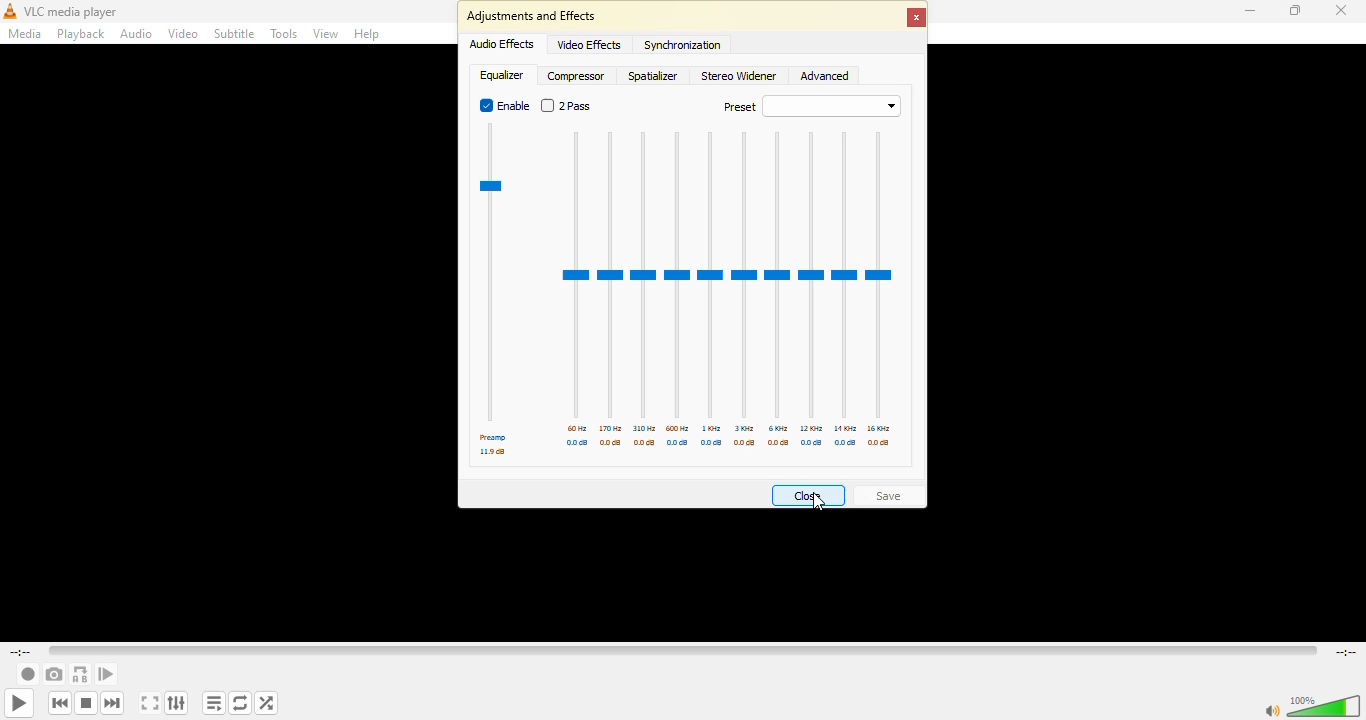 Image resolution: width=1366 pixels, height=720 pixels. I want to click on db, so click(712, 445).